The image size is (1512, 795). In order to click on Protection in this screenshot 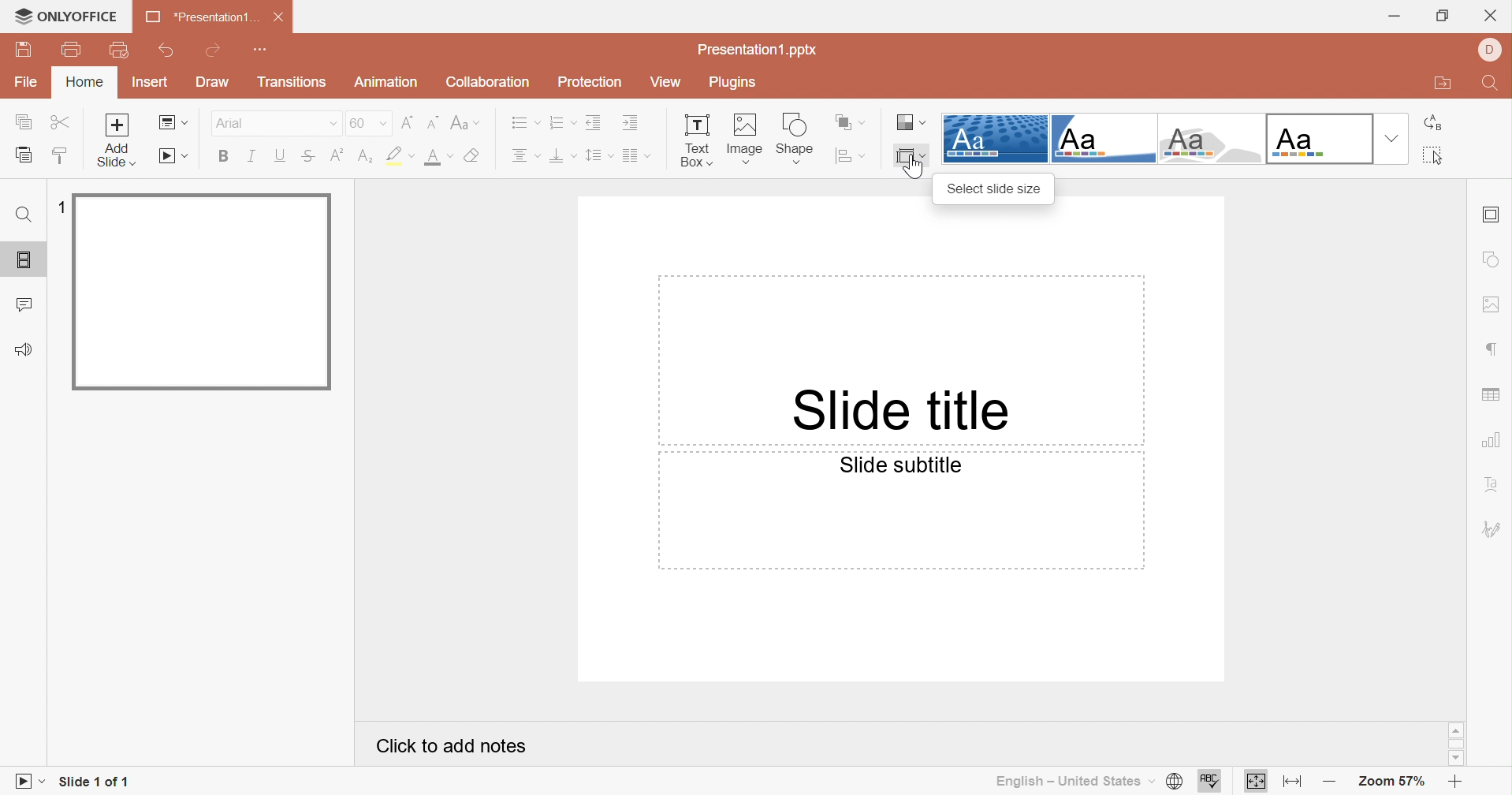, I will do `click(594, 80)`.